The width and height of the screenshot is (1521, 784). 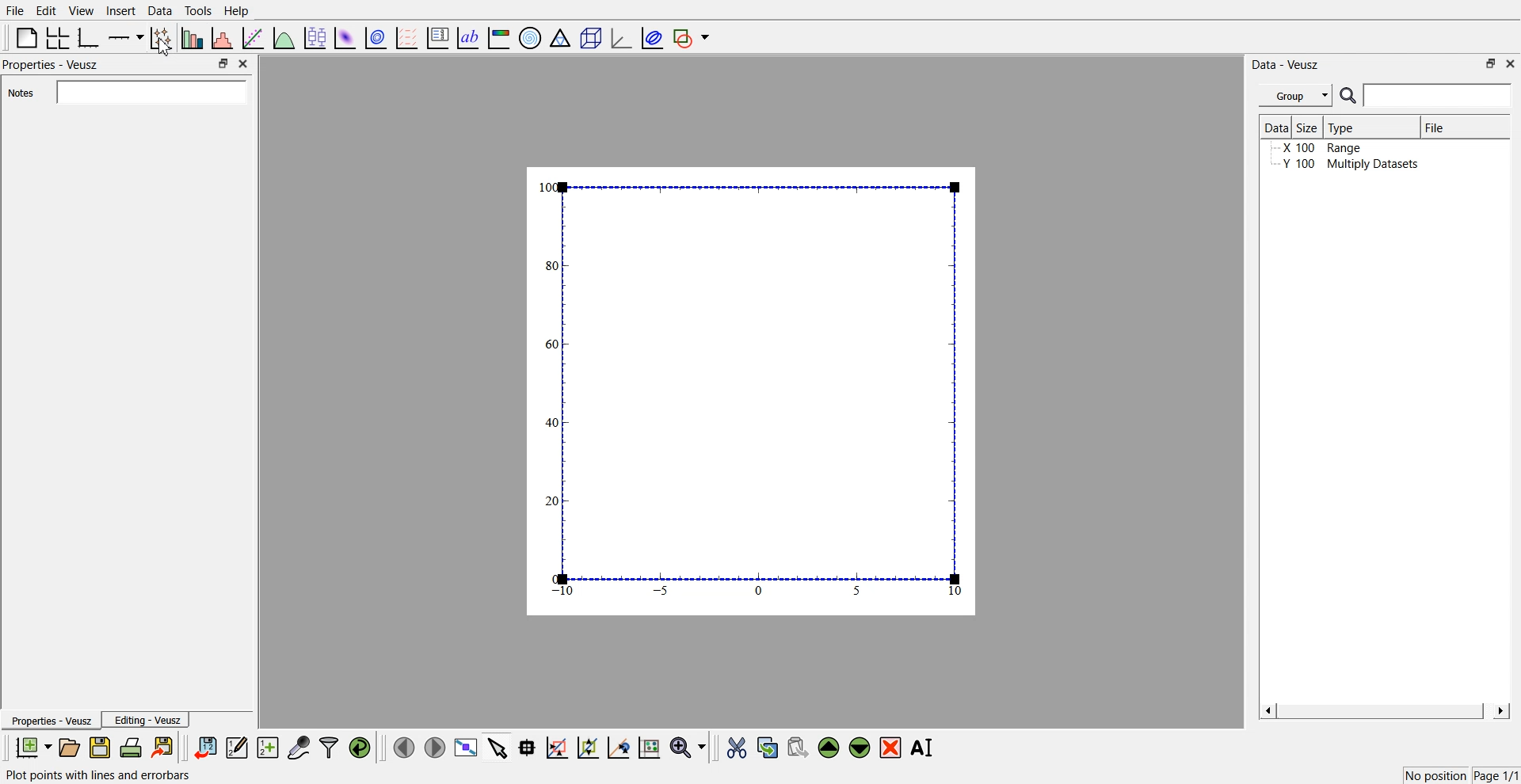 I want to click on Type, so click(x=1369, y=126).